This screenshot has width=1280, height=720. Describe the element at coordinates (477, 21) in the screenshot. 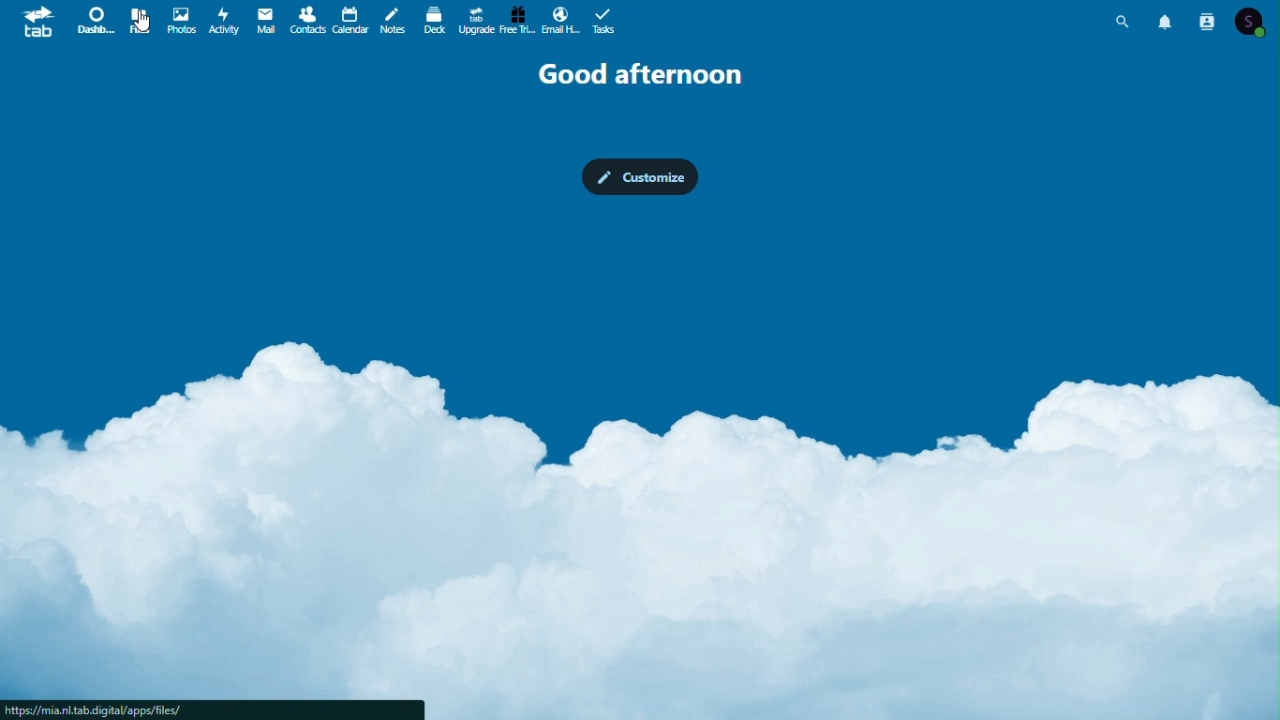

I see `Upgrade` at that location.